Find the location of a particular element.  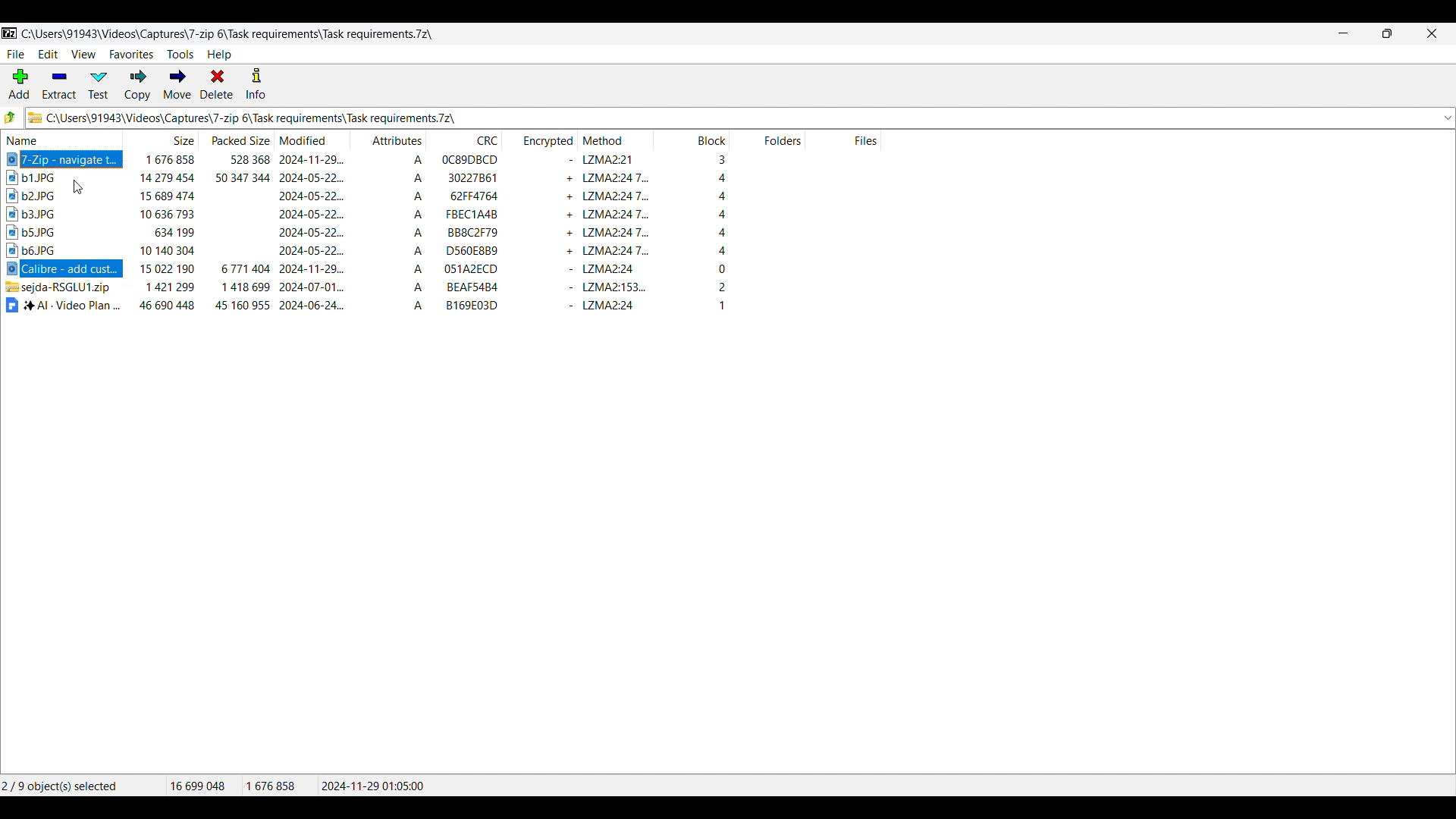

Extract is located at coordinates (60, 85).